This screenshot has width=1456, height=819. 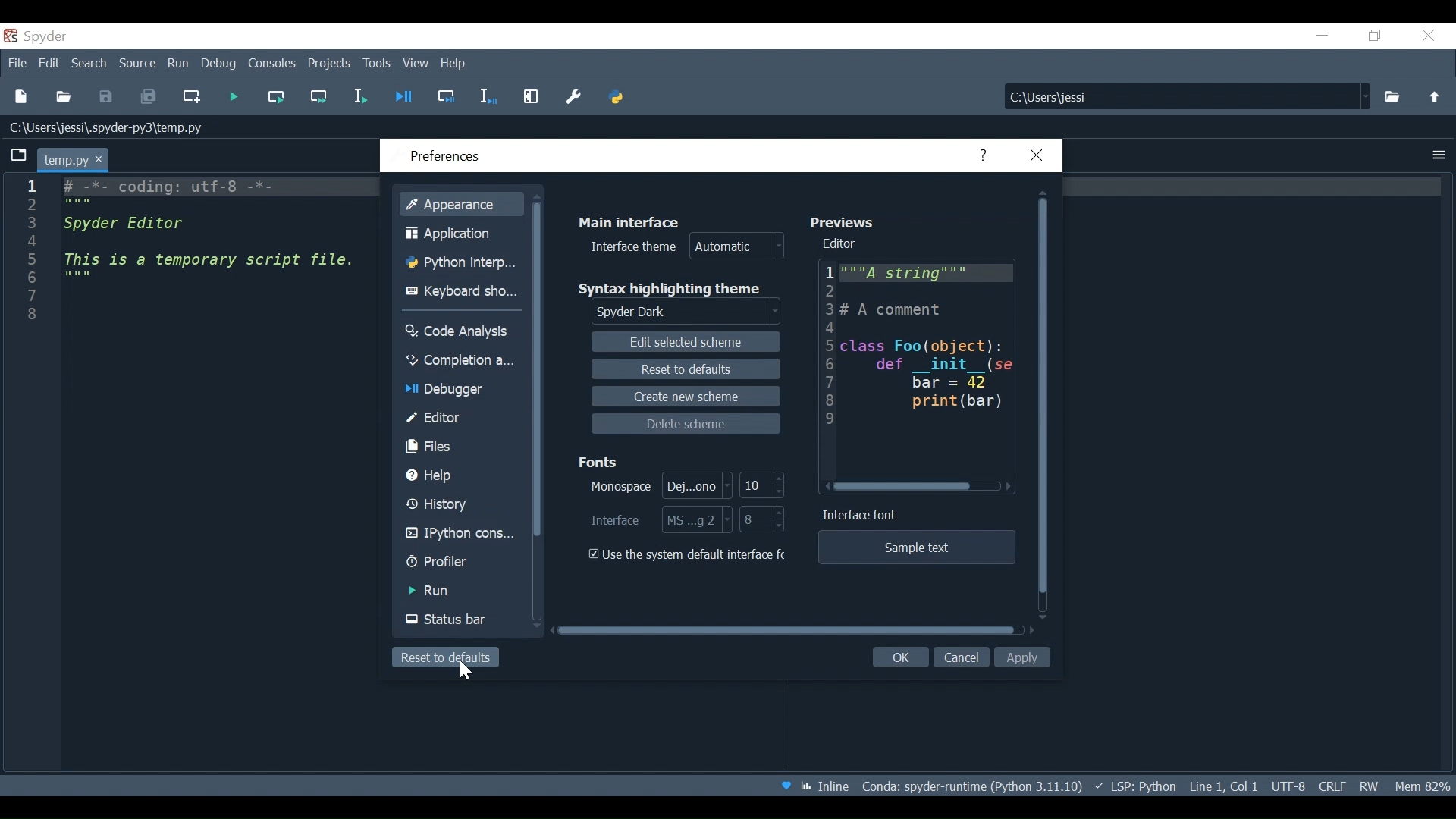 I want to click on Select File, so click(x=1391, y=96).